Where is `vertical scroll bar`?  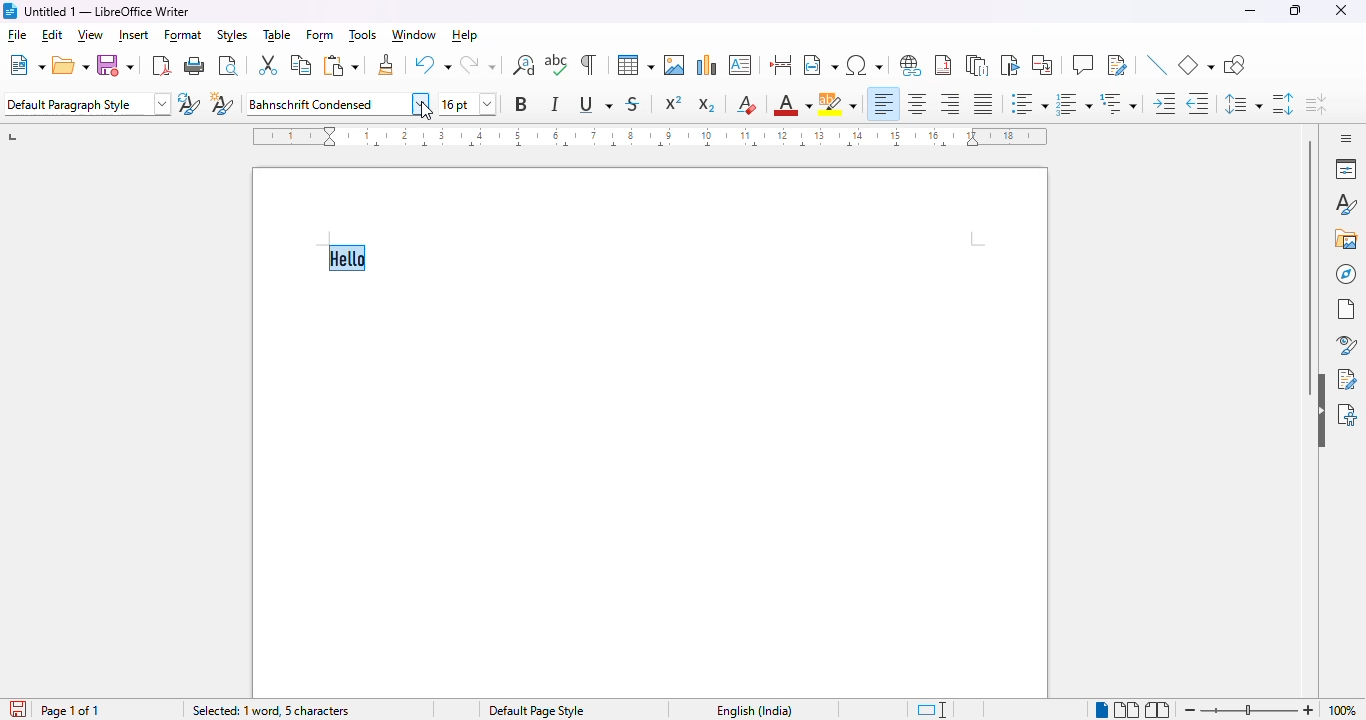
vertical scroll bar is located at coordinates (1310, 270).